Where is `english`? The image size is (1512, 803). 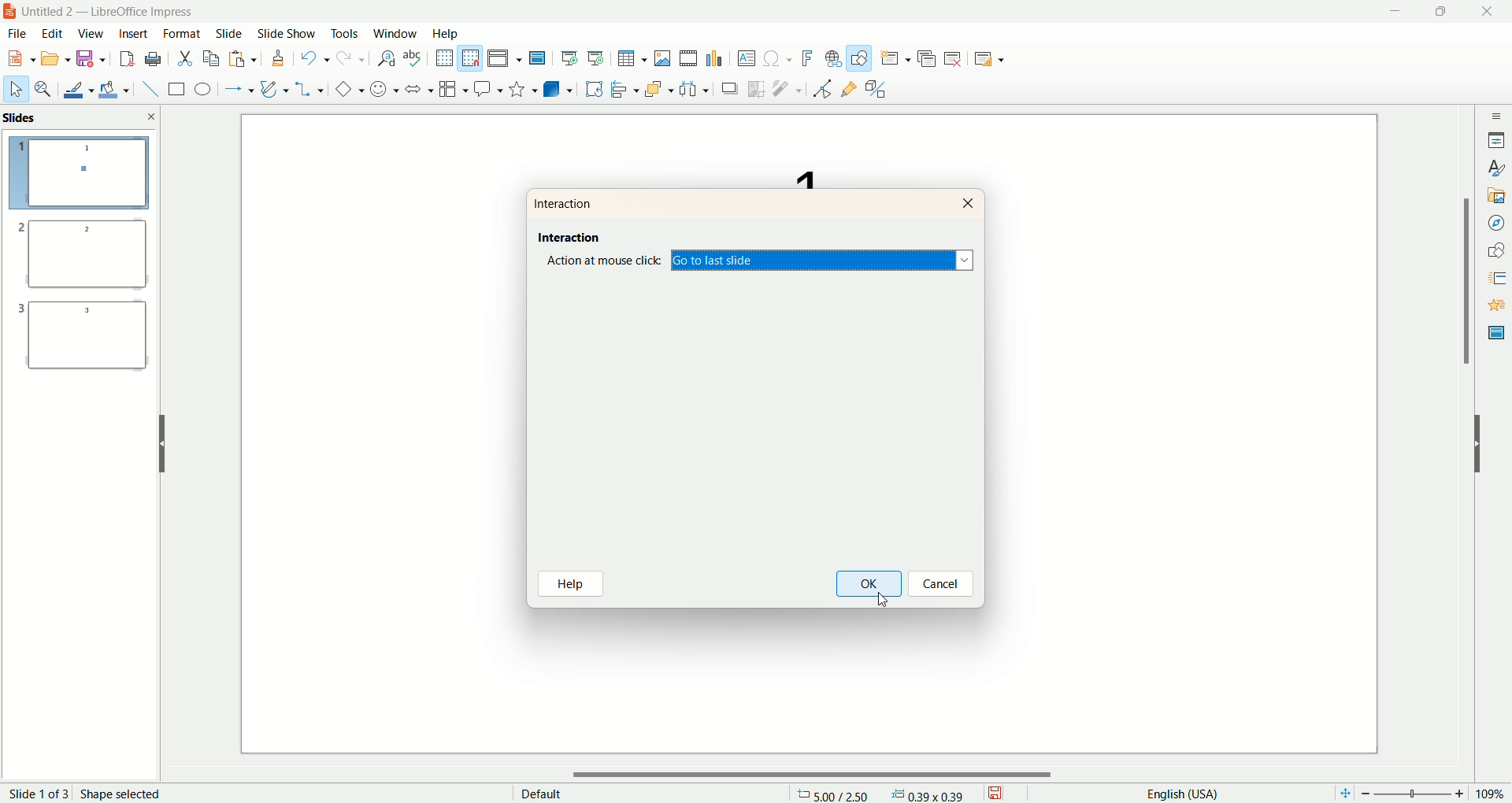
english is located at coordinates (1180, 793).